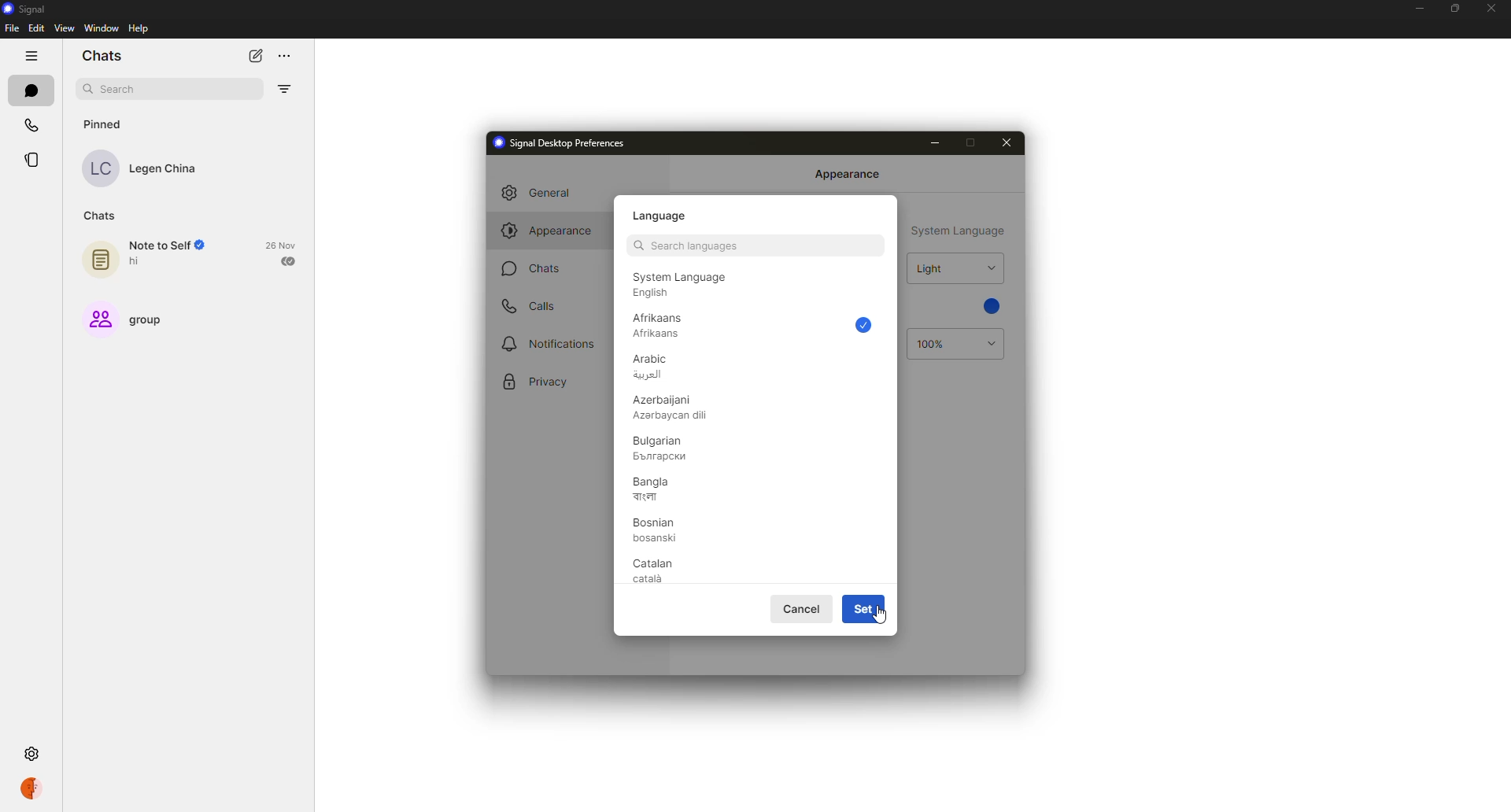 Image resolution: width=1511 pixels, height=812 pixels. Describe the element at coordinates (1005, 144) in the screenshot. I see `close` at that location.